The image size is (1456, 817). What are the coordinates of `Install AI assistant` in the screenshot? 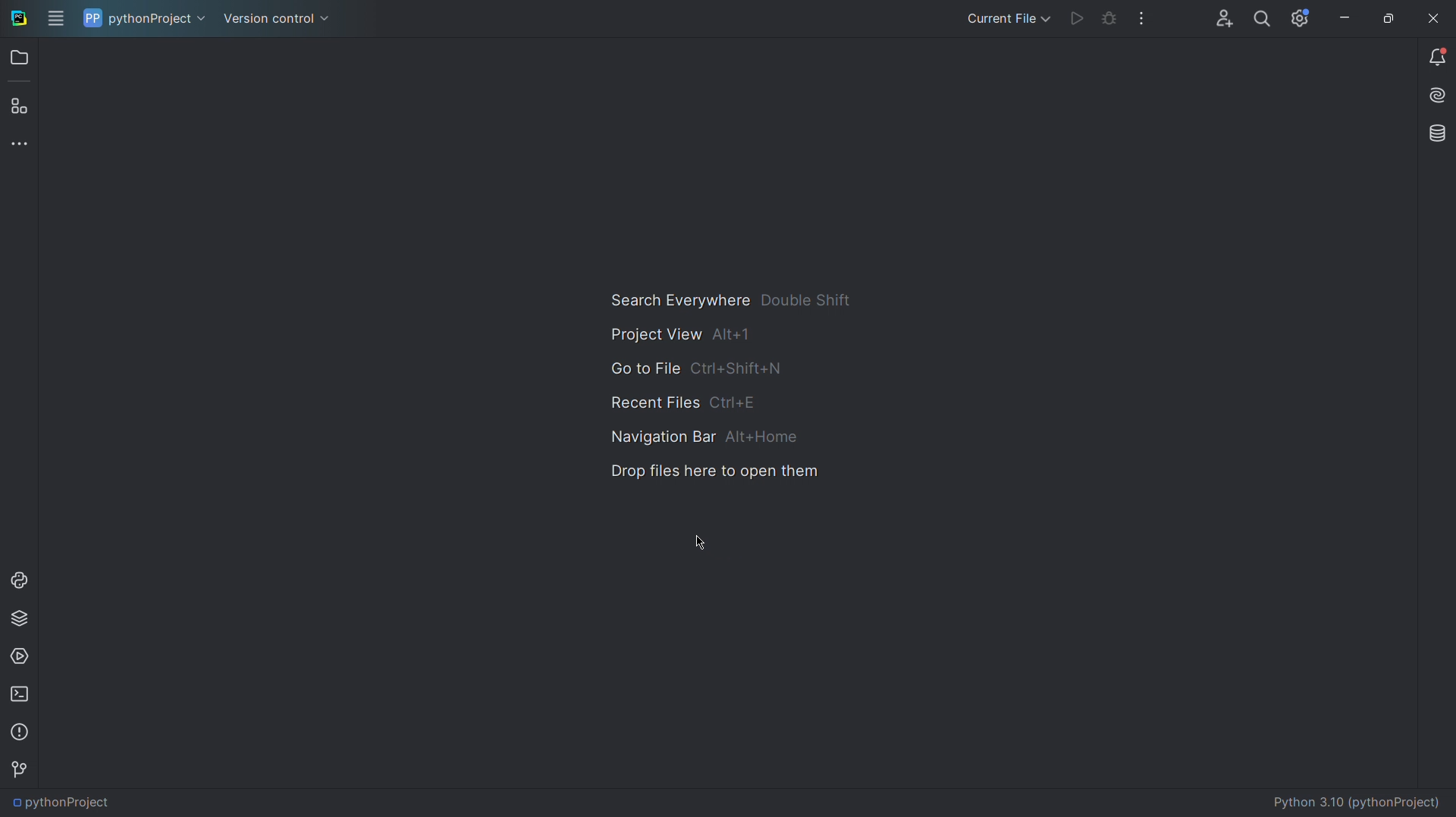 It's located at (1435, 99).